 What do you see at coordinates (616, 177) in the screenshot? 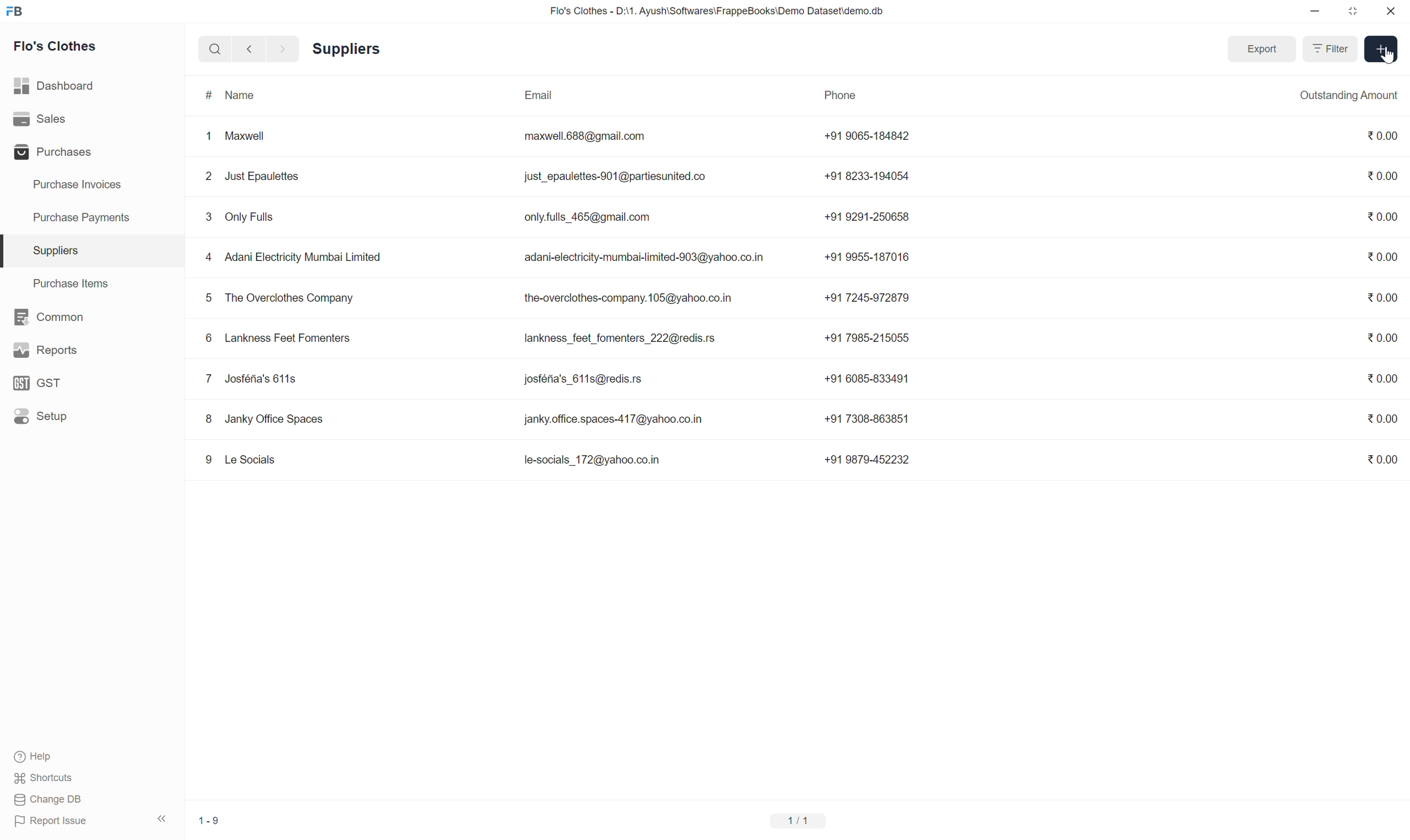
I see `just_epaulettes-901@partiesunited.co` at bounding box center [616, 177].